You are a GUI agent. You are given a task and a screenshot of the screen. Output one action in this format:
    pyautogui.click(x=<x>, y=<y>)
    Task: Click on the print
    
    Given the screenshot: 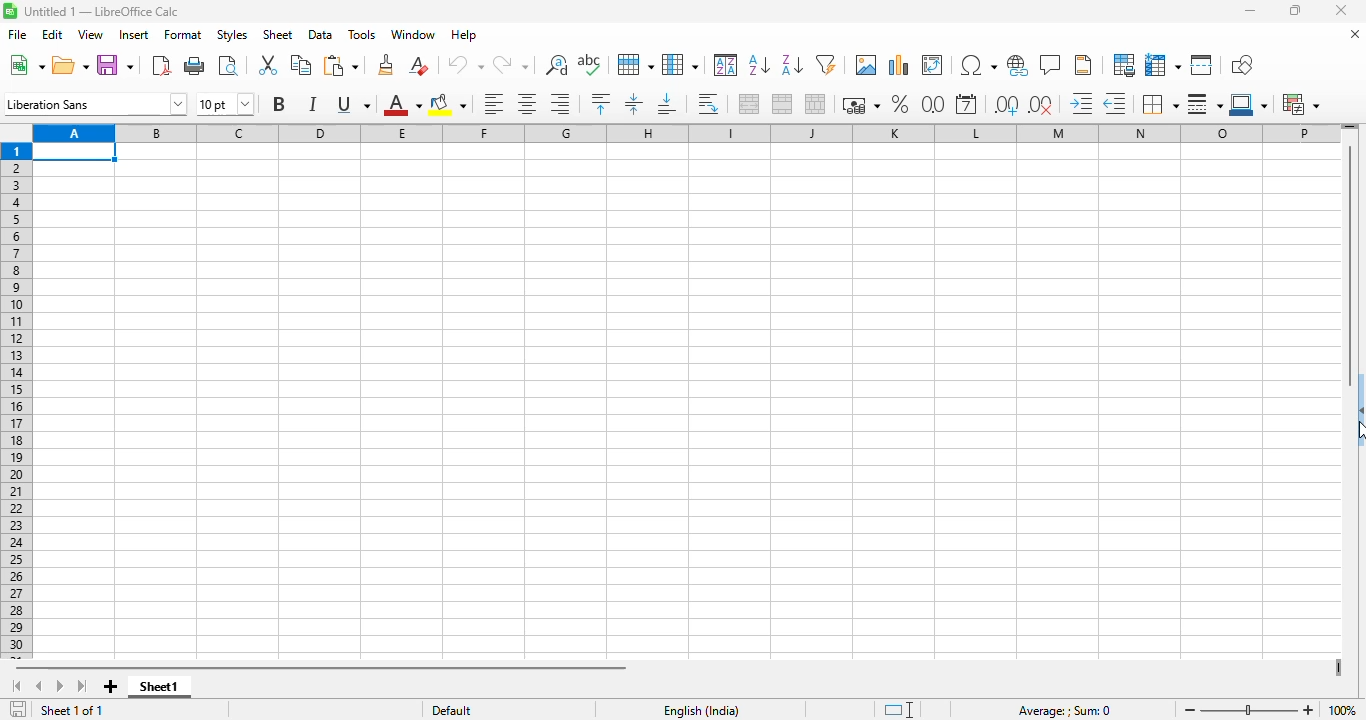 What is the action you would take?
    pyautogui.click(x=195, y=64)
    